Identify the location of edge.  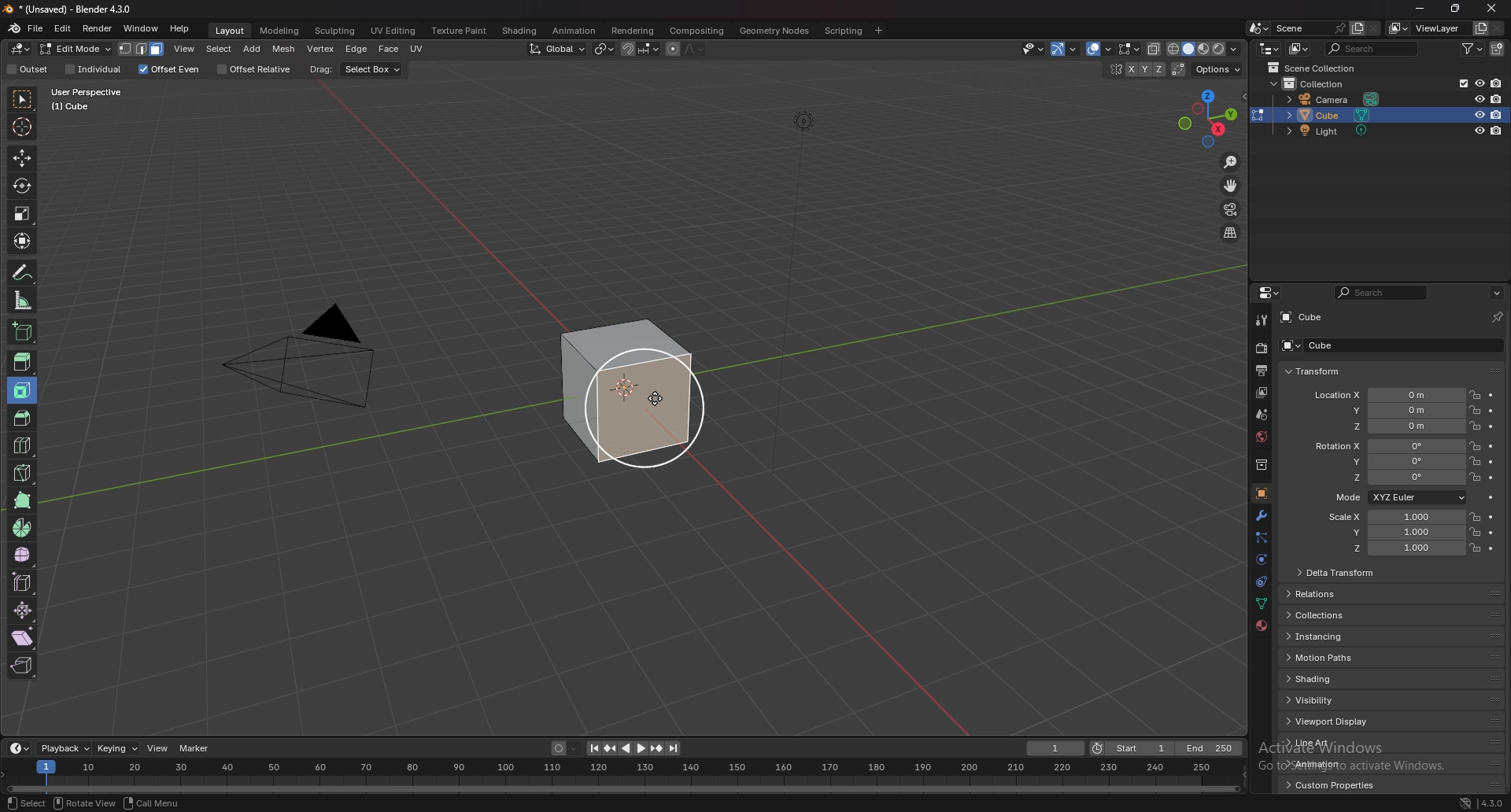
(357, 49).